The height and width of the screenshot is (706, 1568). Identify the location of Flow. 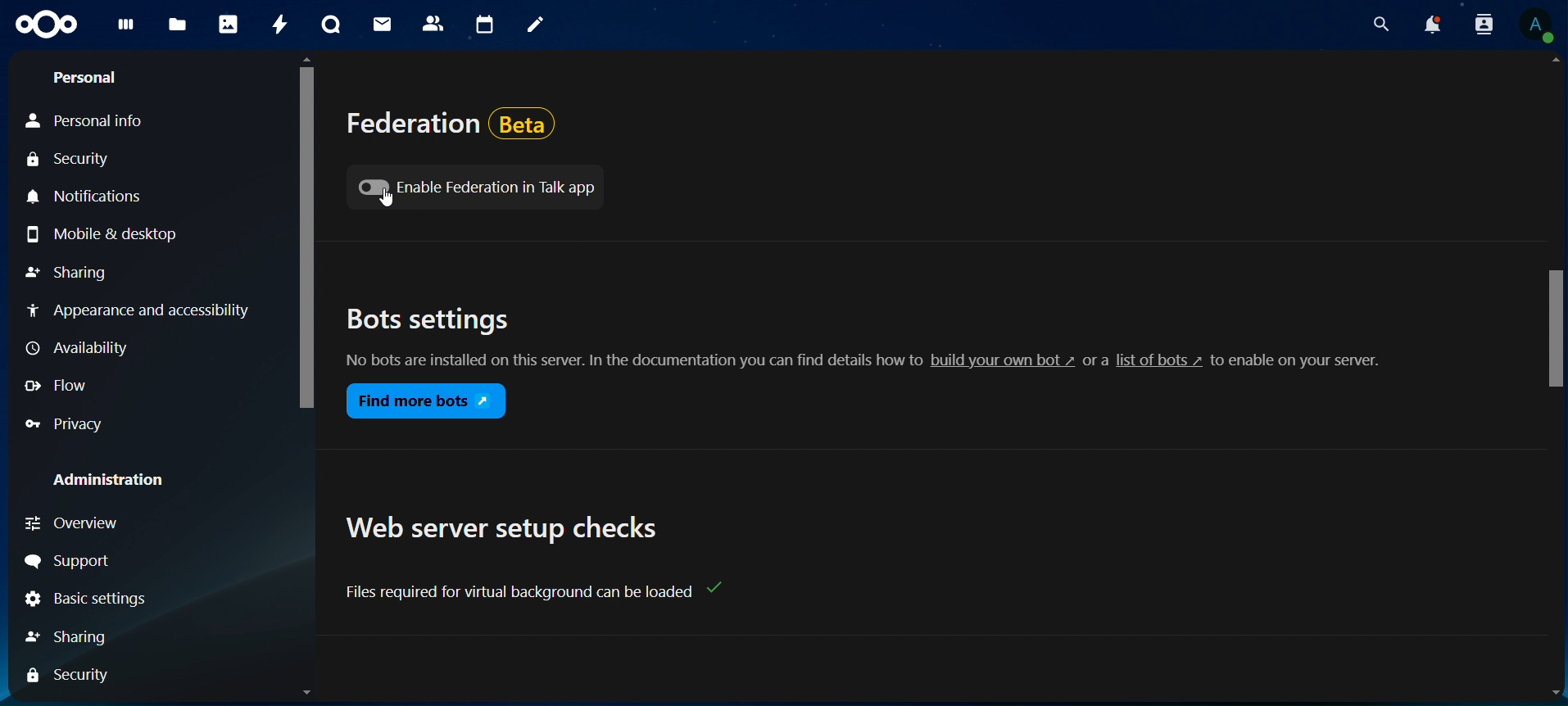
(59, 386).